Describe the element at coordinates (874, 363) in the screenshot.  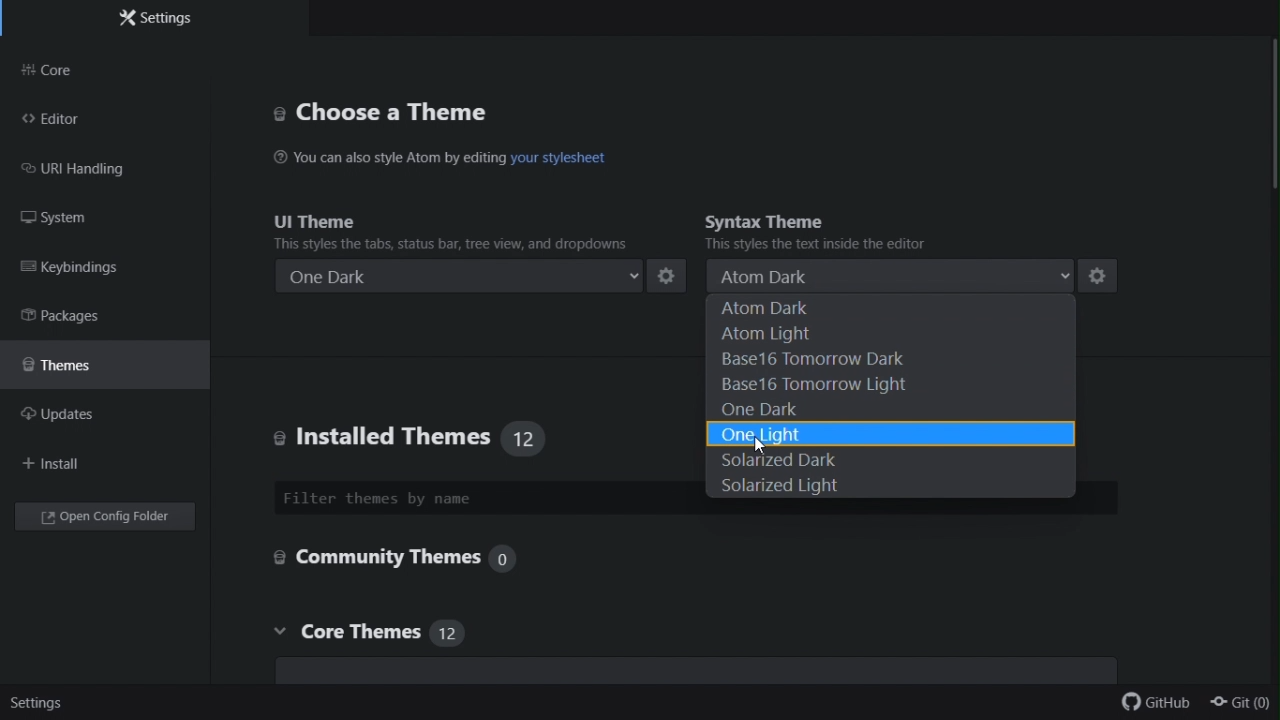
I see `base 16 tomorrow dark` at that location.